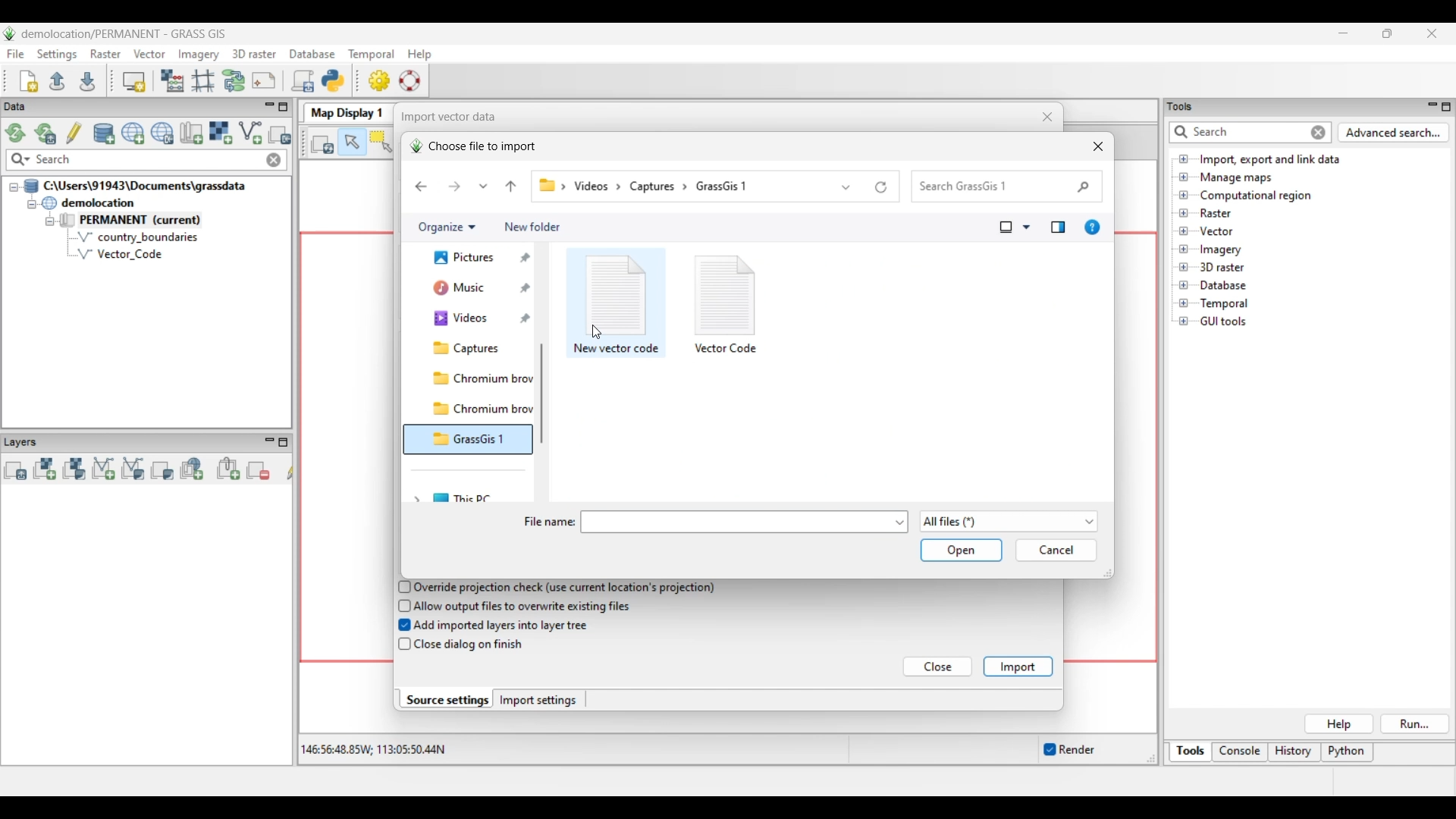  What do you see at coordinates (1184, 303) in the screenshot?
I see `Click to open Temporal` at bounding box center [1184, 303].